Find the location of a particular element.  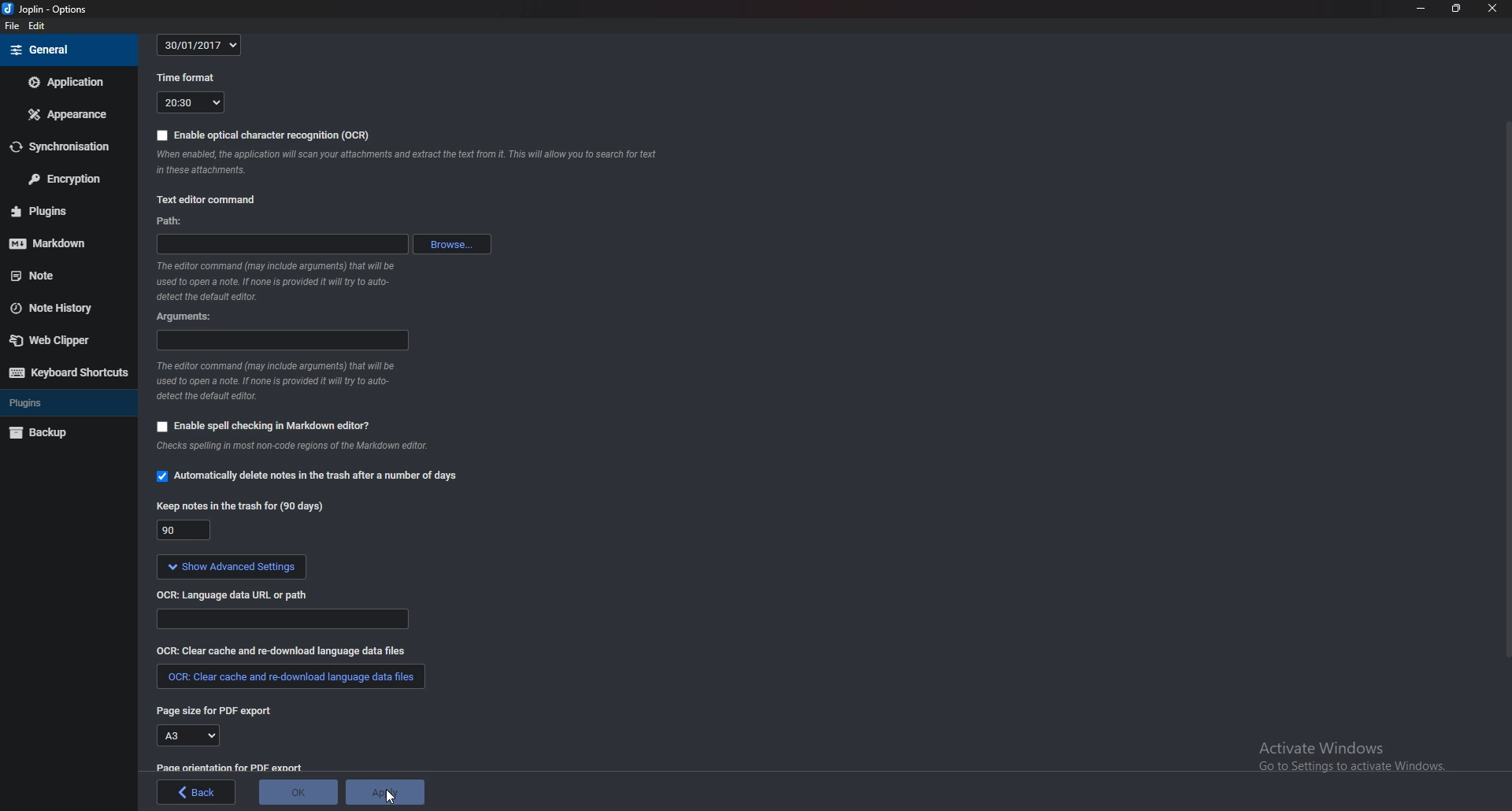

20:30 is located at coordinates (190, 104).